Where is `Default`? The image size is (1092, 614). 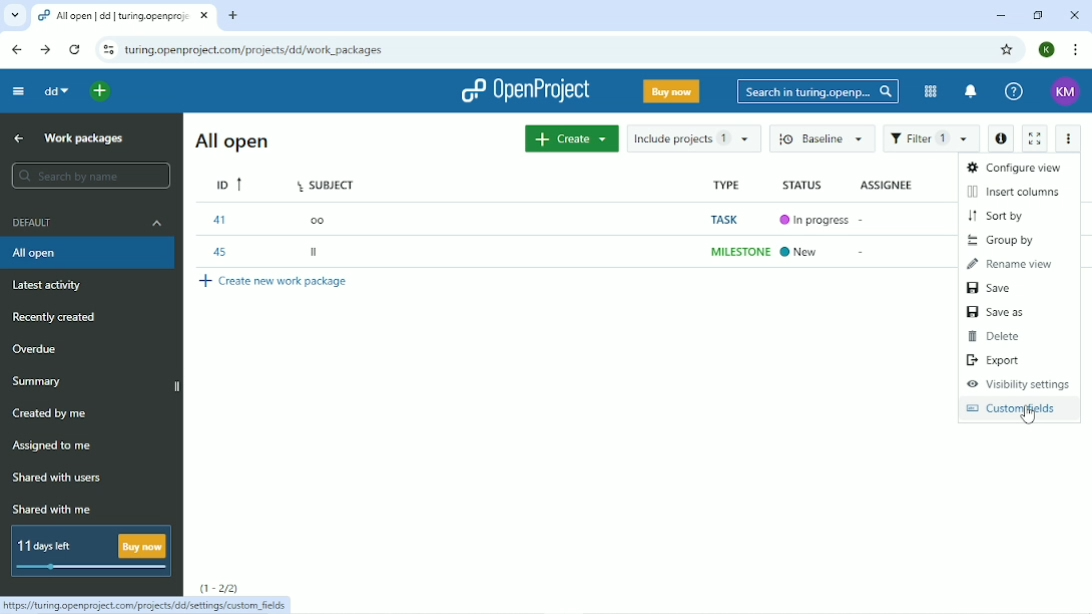 Default is located at coordinates (88, 223).